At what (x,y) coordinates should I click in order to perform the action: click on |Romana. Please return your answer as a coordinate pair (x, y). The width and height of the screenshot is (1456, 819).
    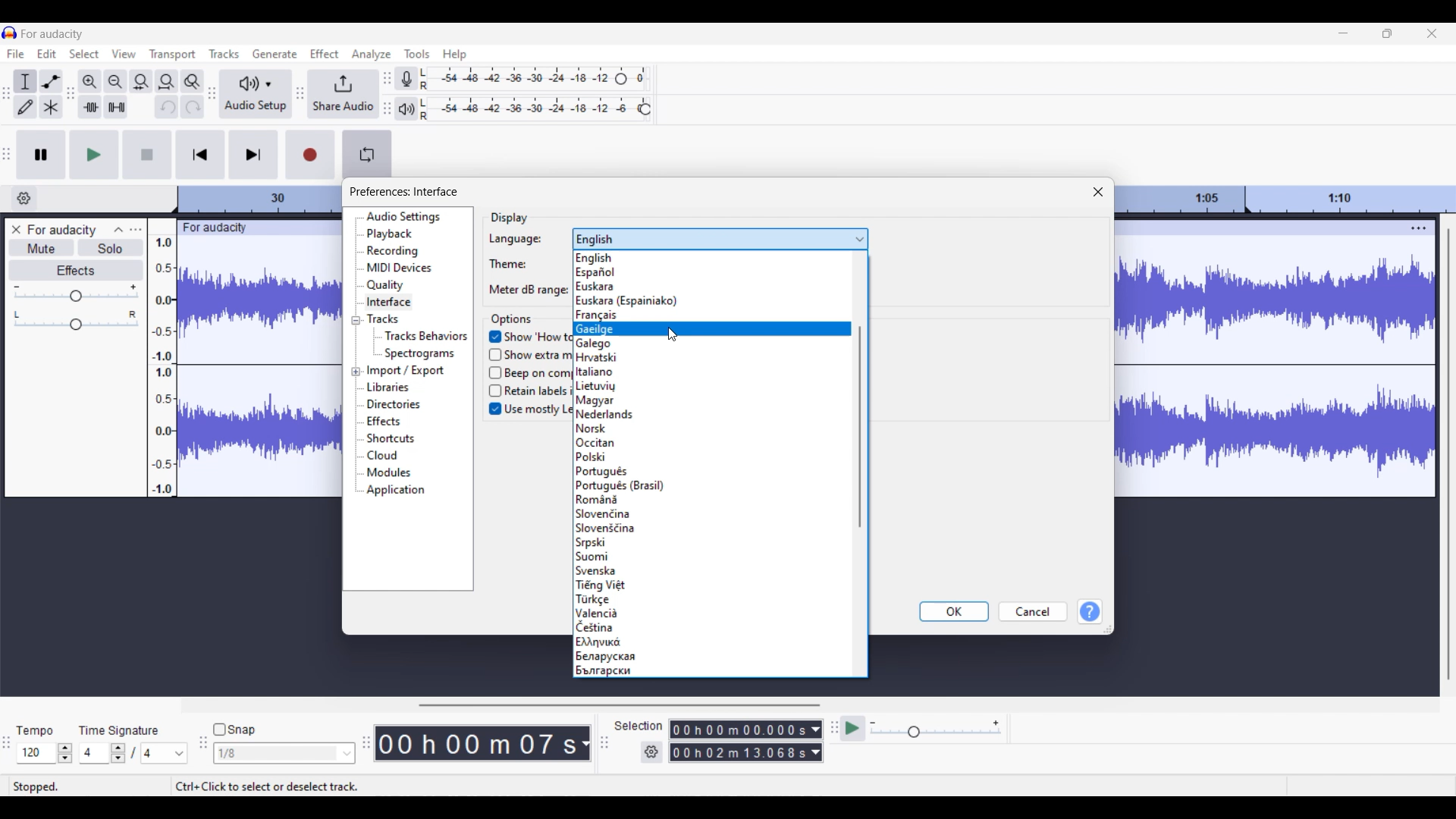
    Looking at the image, I should click on (600, 499).